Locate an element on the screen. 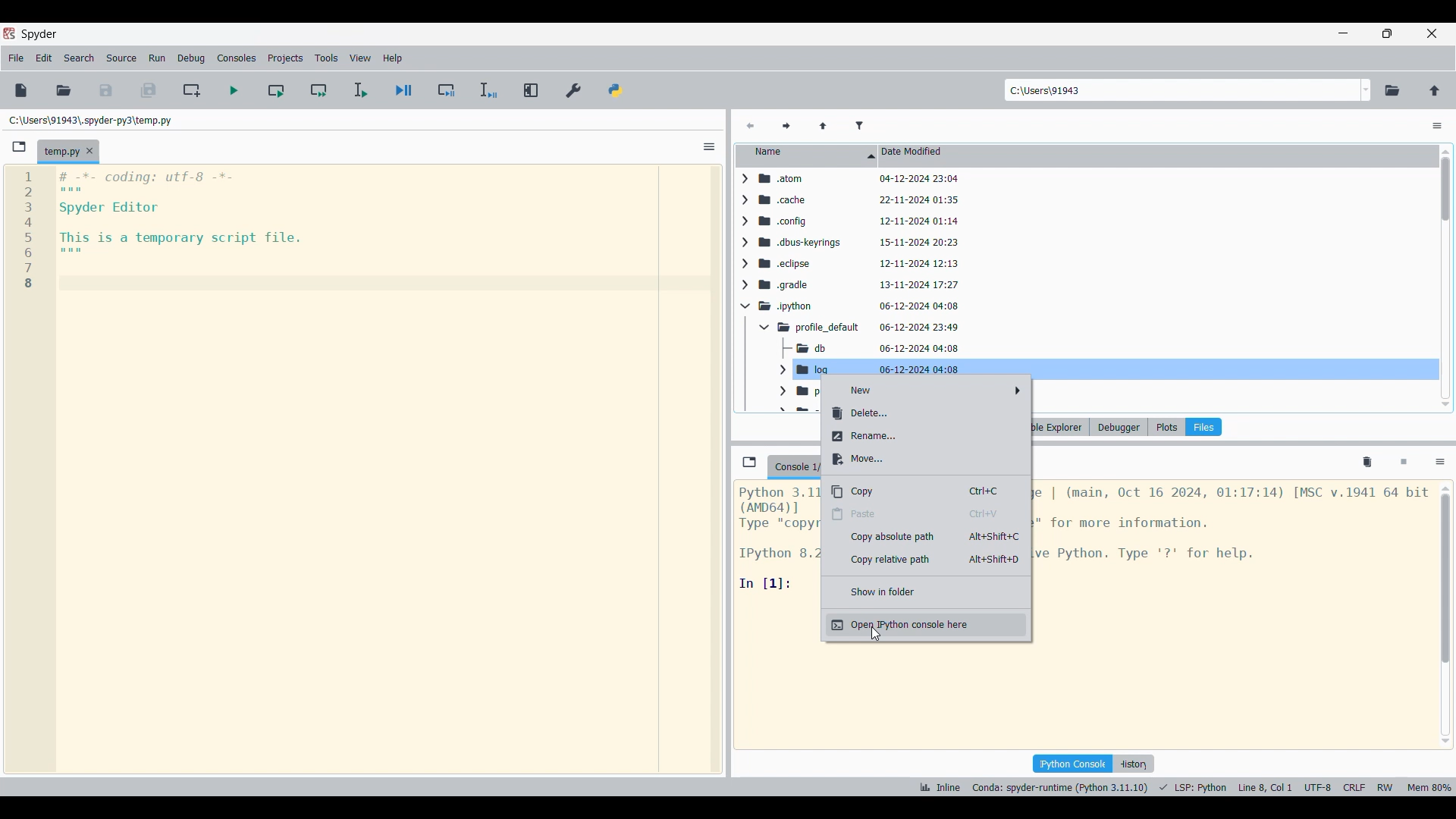 This screenshot has height=819, width=1456. Next is located at coordinates (786, 127).